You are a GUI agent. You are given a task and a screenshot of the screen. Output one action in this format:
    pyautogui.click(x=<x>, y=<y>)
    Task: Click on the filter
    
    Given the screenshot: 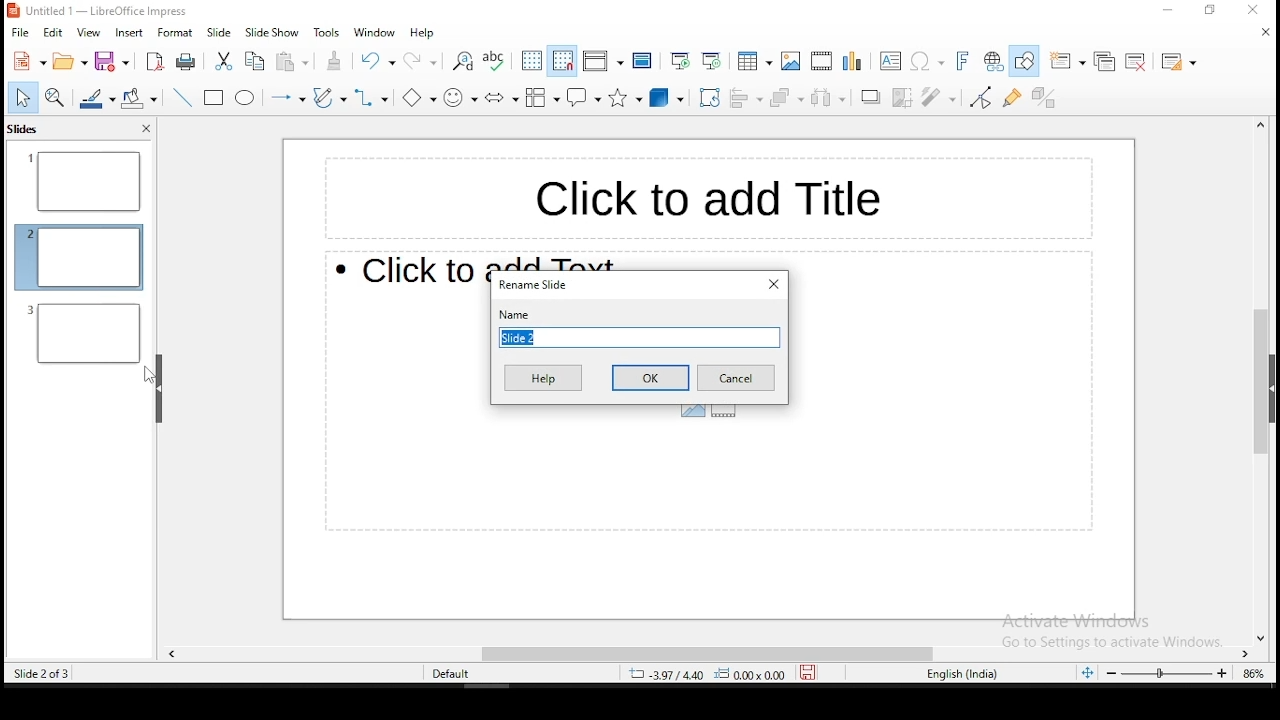 What is the action you would take?
    pyautogui.click(x=934, y=94)
    